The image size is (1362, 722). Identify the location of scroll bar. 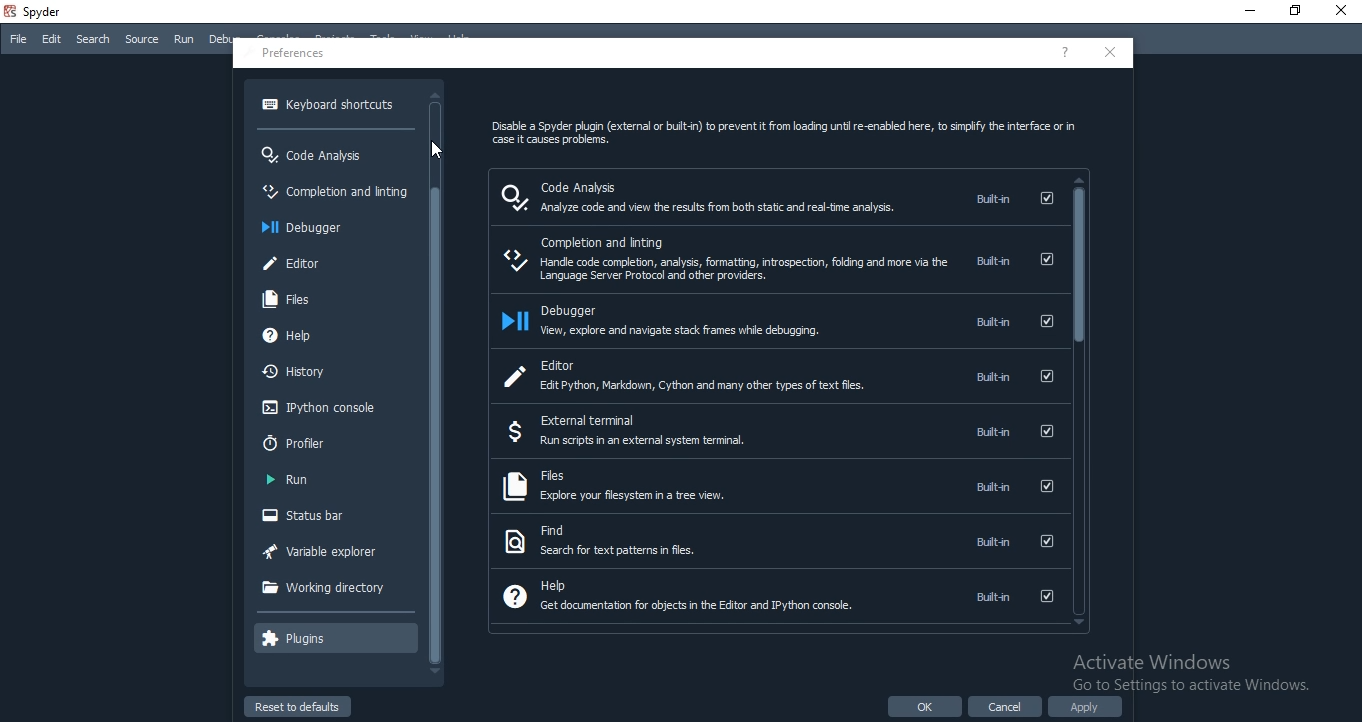
(438, 384).